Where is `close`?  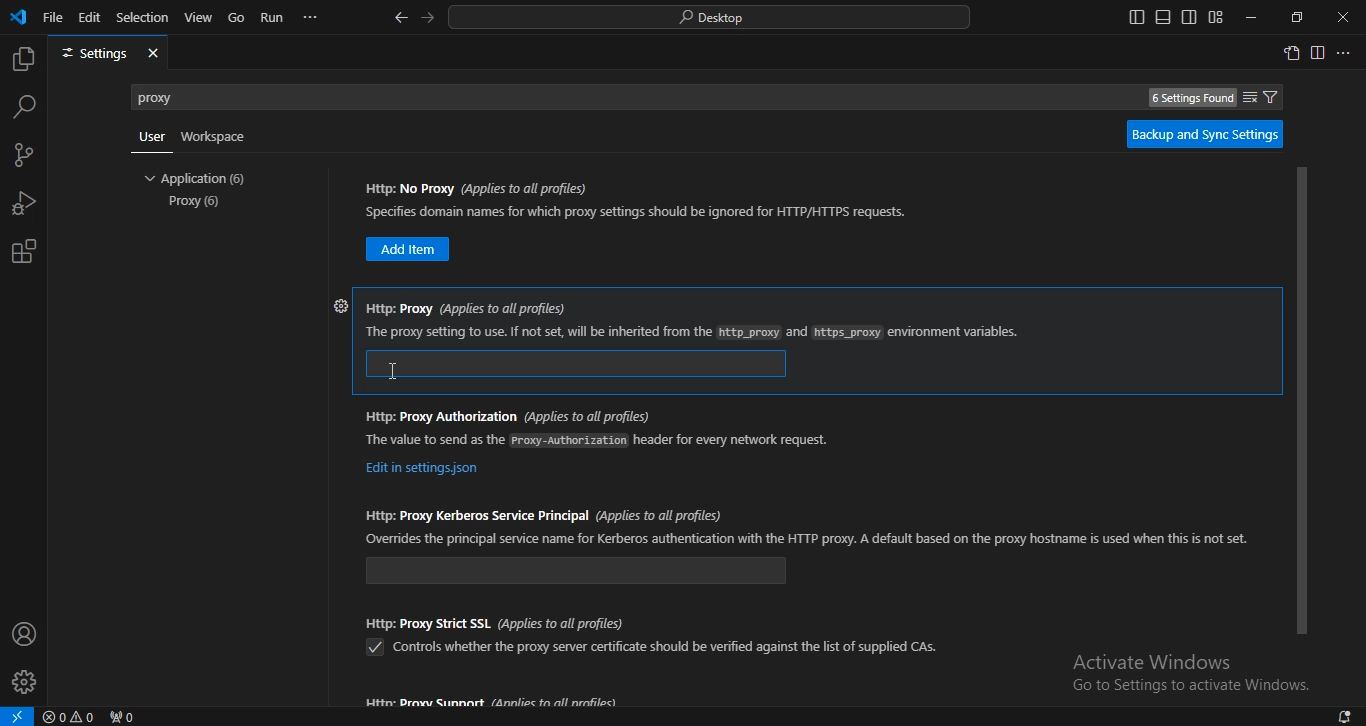
close is located at coordinates (1342, 17).